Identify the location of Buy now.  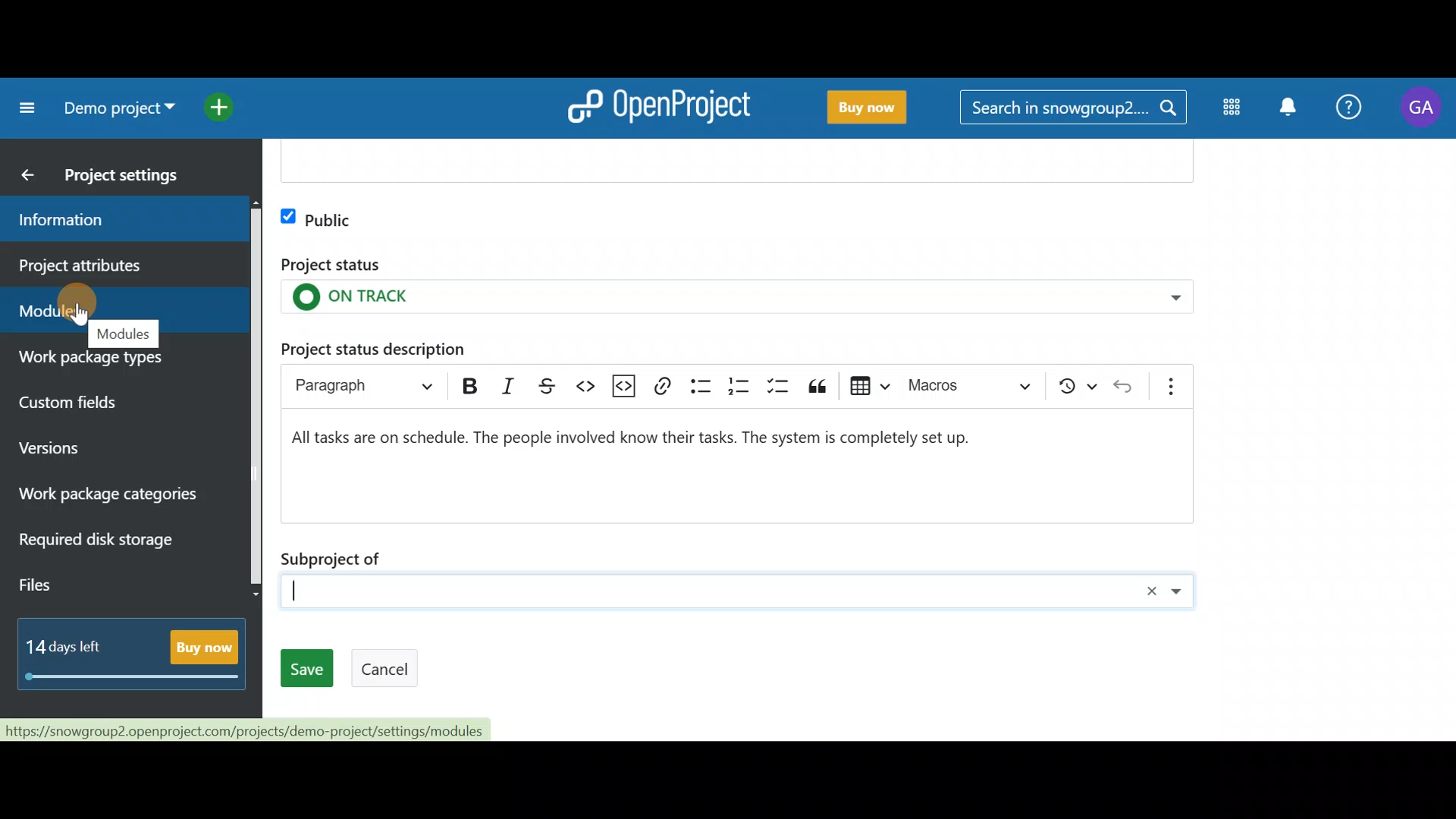
(870, 110).